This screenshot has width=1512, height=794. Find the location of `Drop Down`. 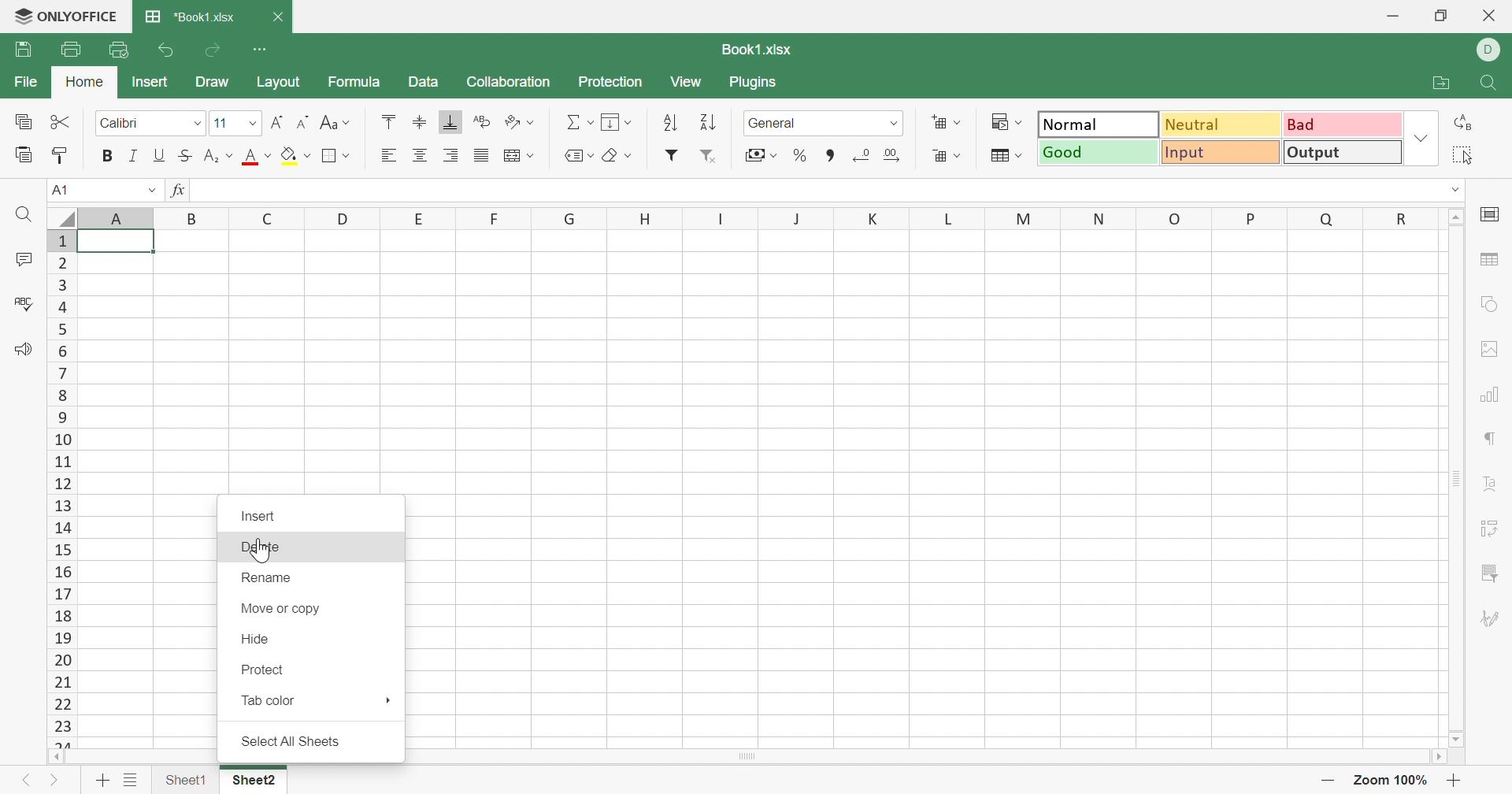

Drop Down is located at coordinates (310, 155).